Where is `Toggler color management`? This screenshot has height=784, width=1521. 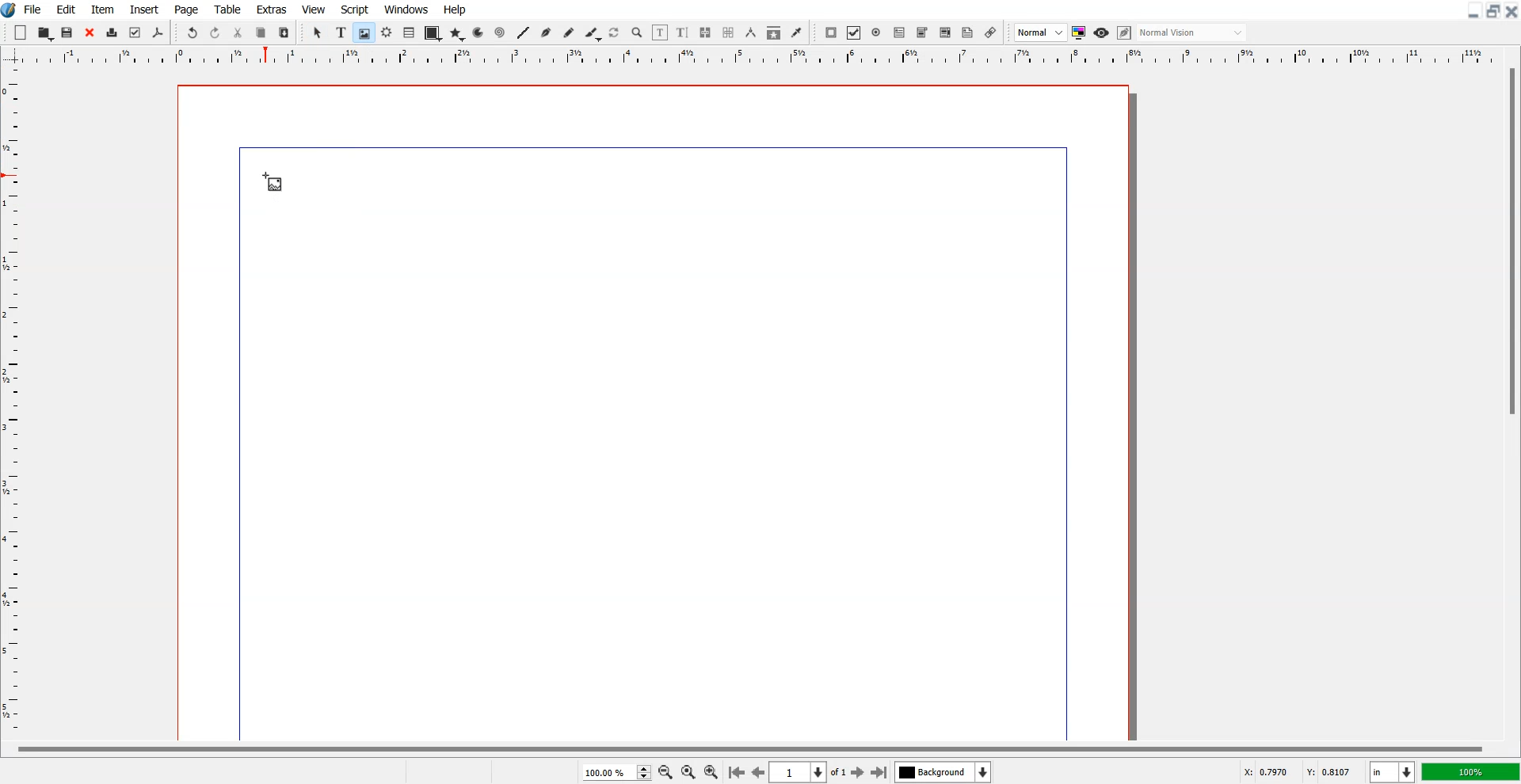
Toggler color management is located at coordinates (1079, 32).